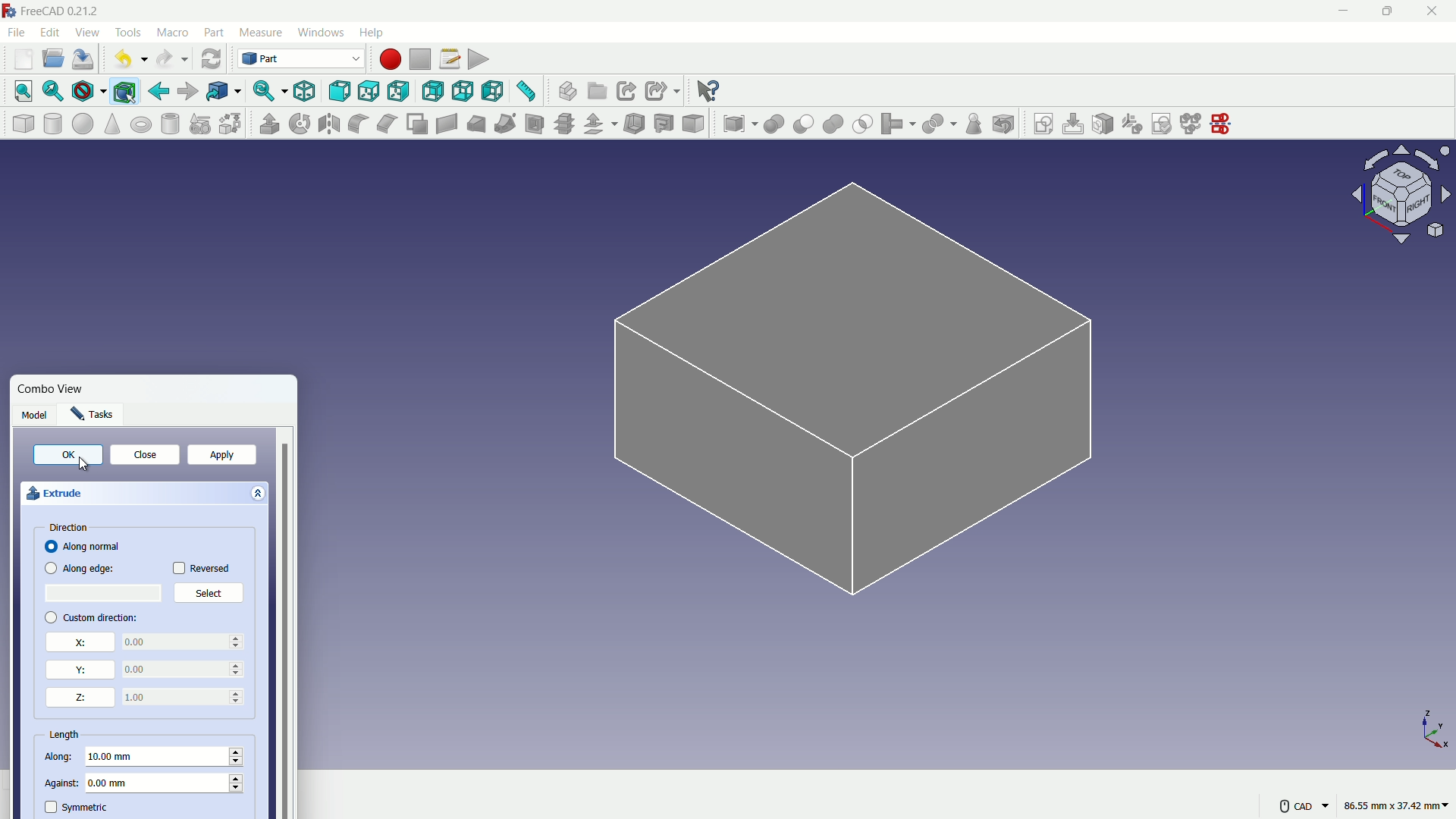 This screenshot has width=1456, height=819. What do you see at coordinates (142, 125) in the screenshot?
I see `torus solid` at bounding box center [142, 125].